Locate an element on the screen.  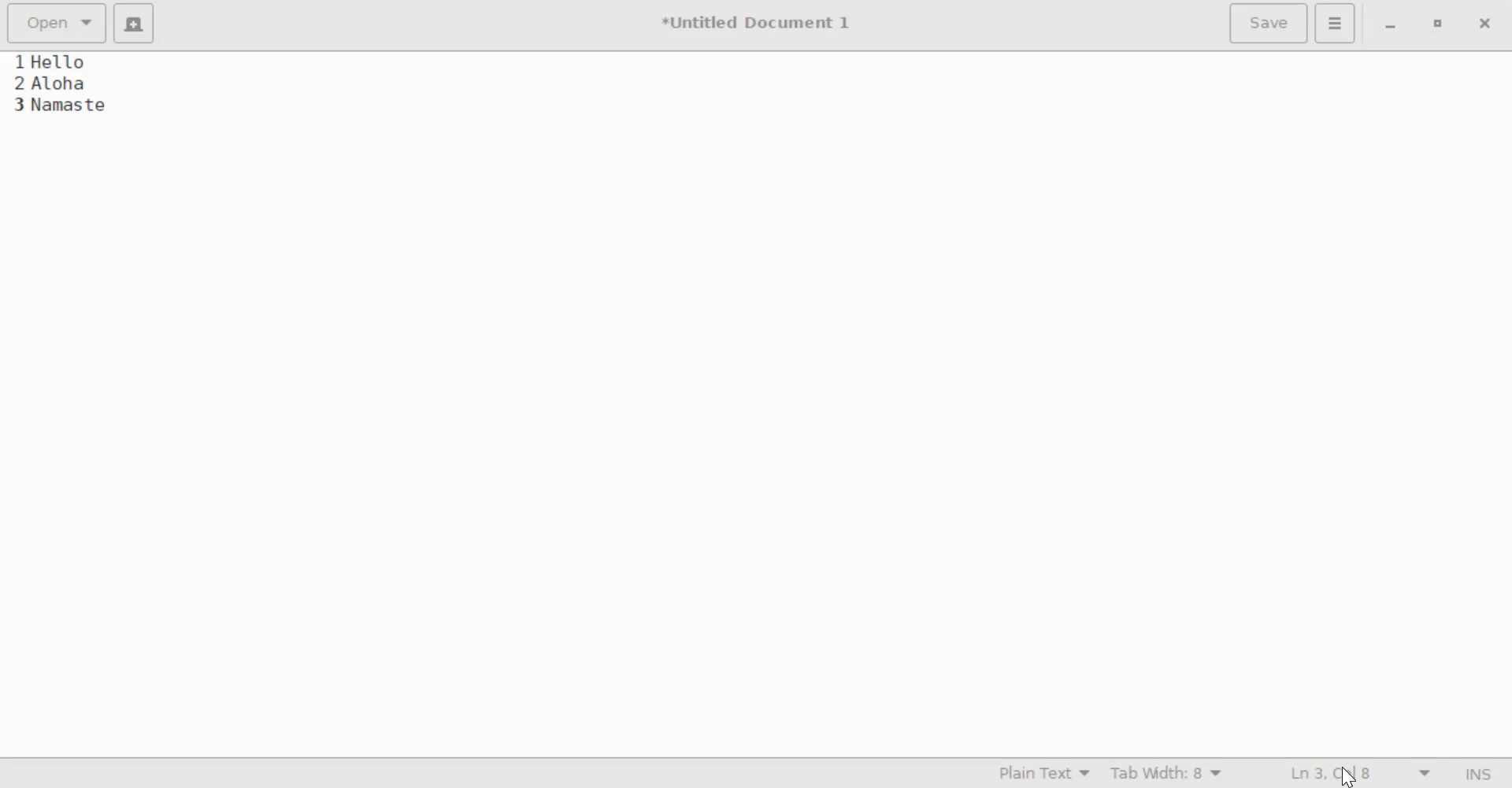
Open is located at coordinates (57, 23).